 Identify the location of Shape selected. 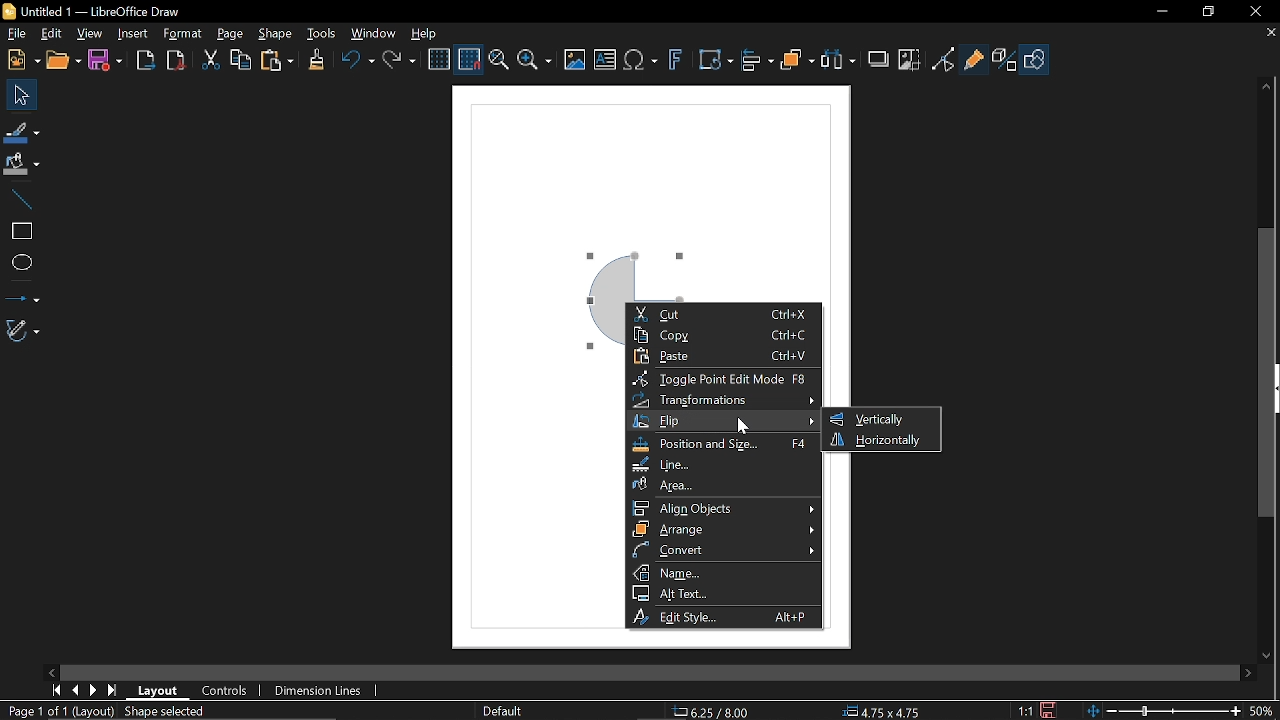
(180, 712).